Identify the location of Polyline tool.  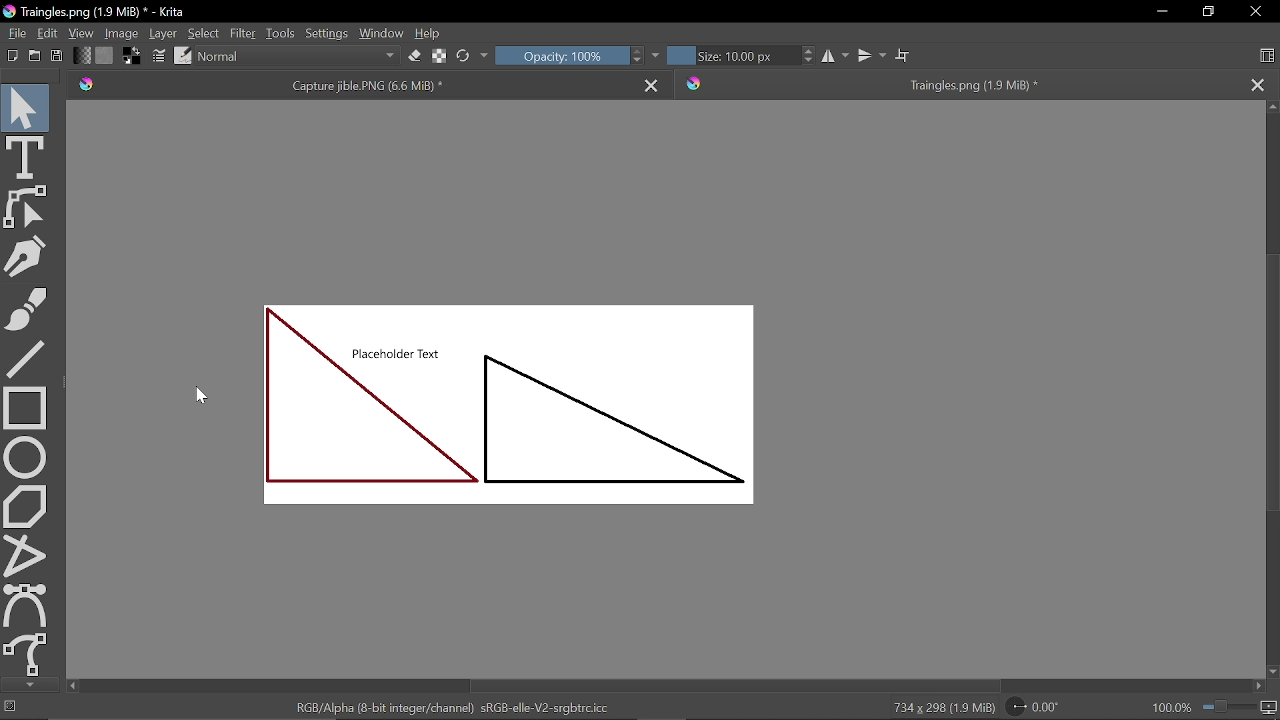
(26, 555).